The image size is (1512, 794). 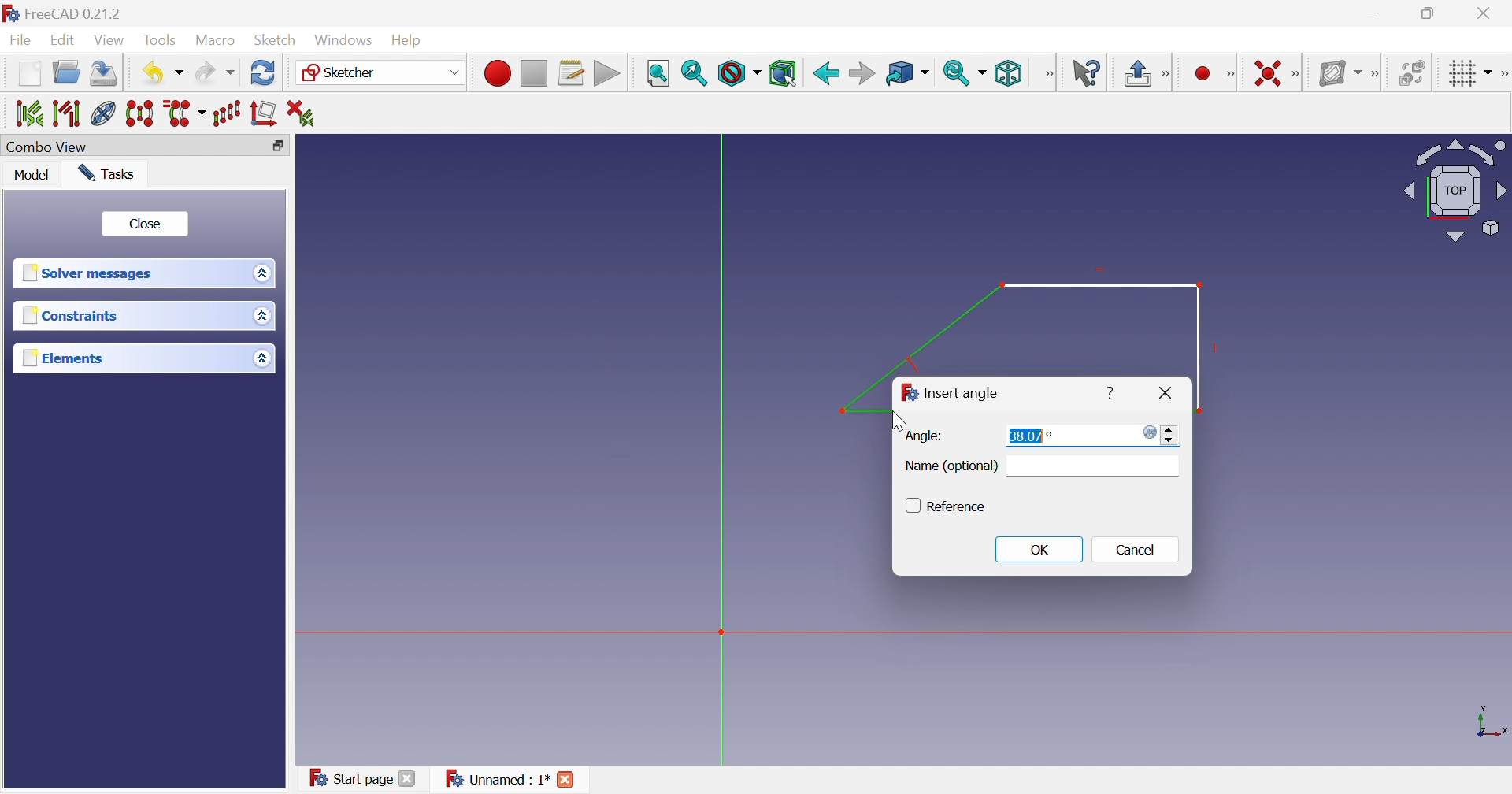 What do you see at coordinates (1411, 72) in the screenshot?
I see `Show virtual space` at bounding box center [1411, 72].